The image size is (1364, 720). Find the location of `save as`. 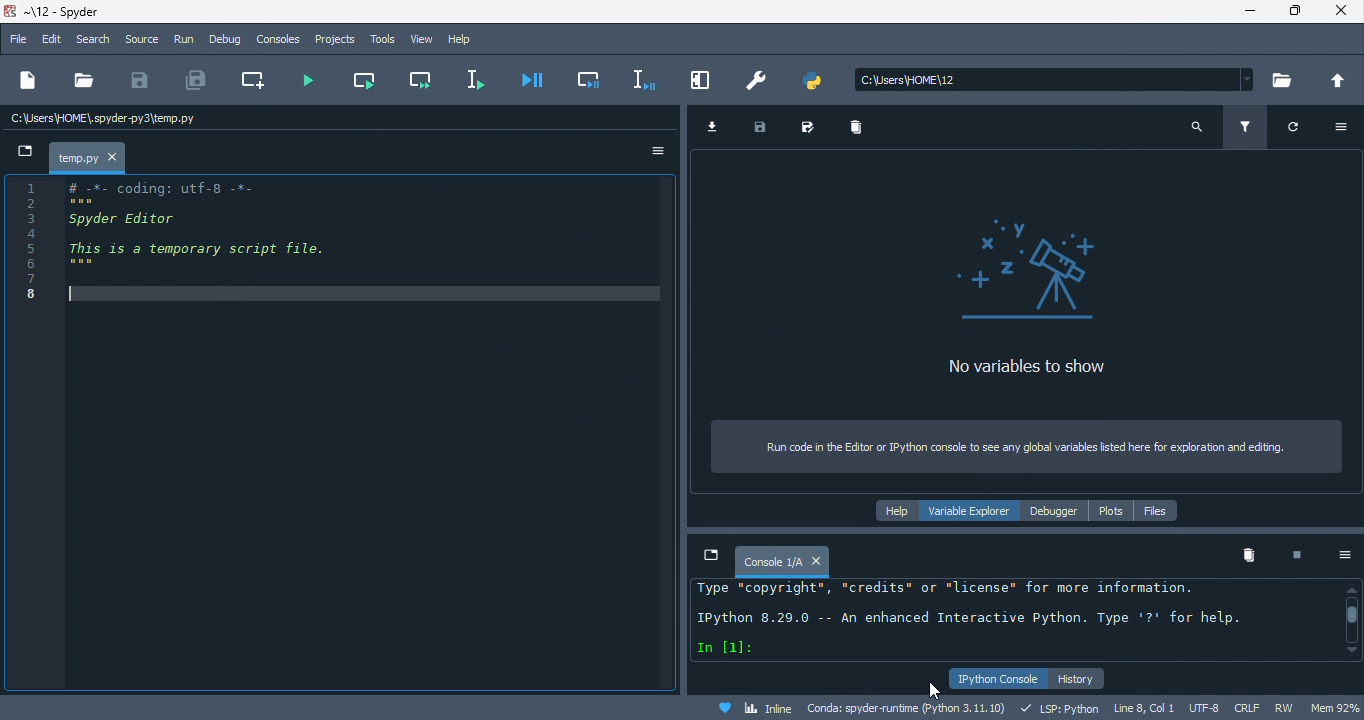

save as is located at coordinates (812, 129).